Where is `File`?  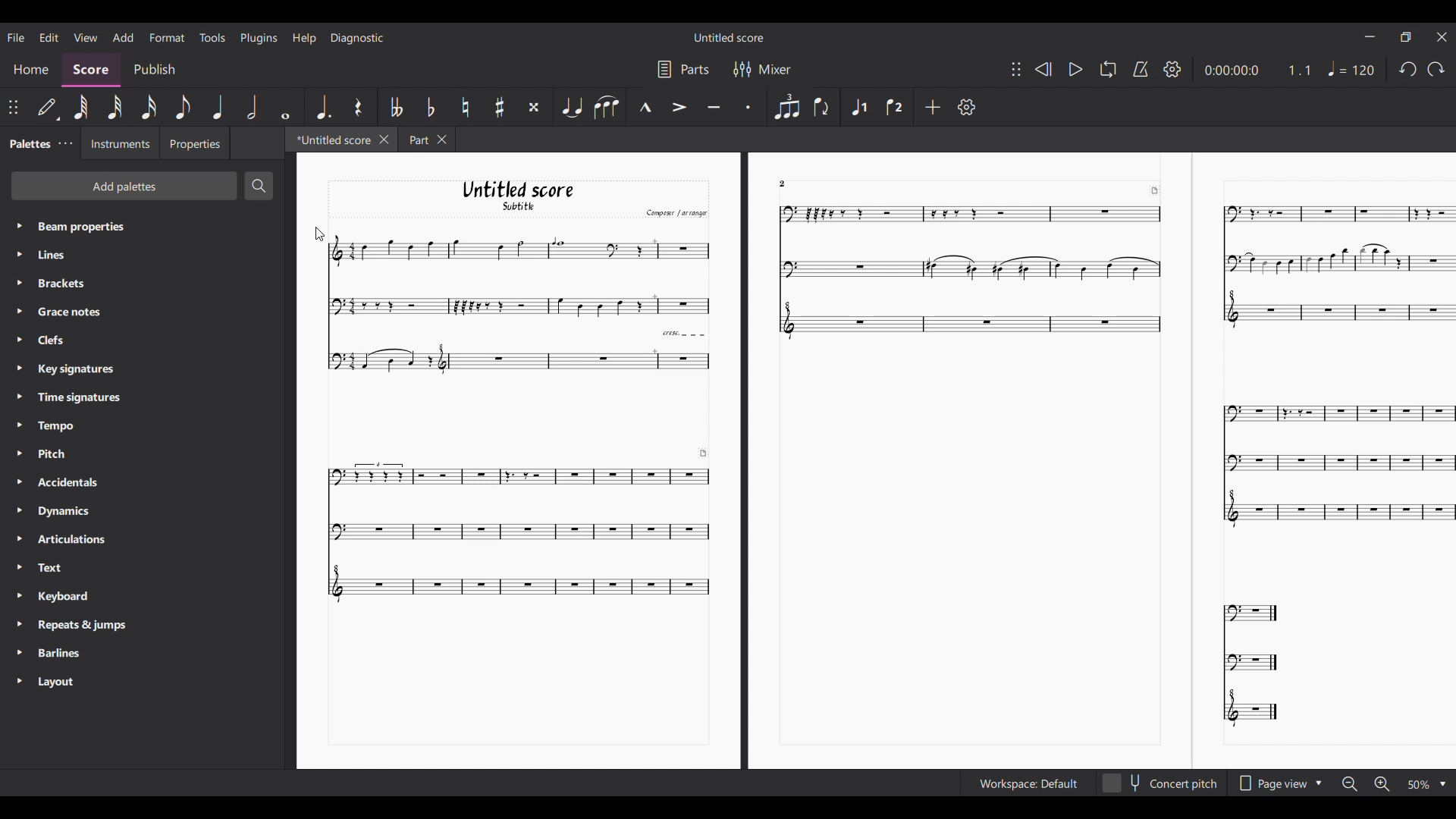
File is located at coordinates (16, 36).